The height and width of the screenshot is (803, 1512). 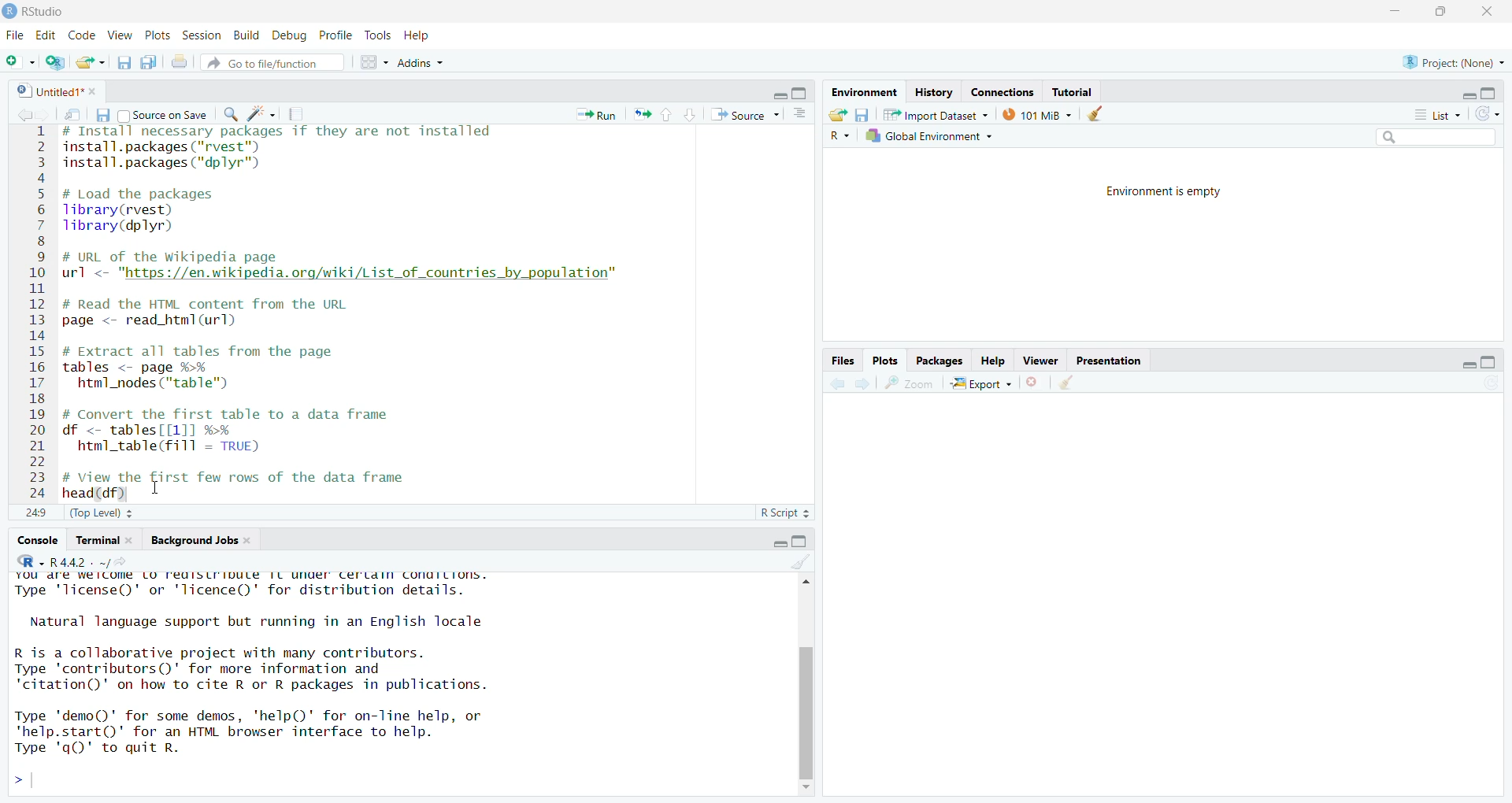 What do you see at coordinates (36, 512) in the screenshot?
I see `24:9` at bounding box center [36, 512].